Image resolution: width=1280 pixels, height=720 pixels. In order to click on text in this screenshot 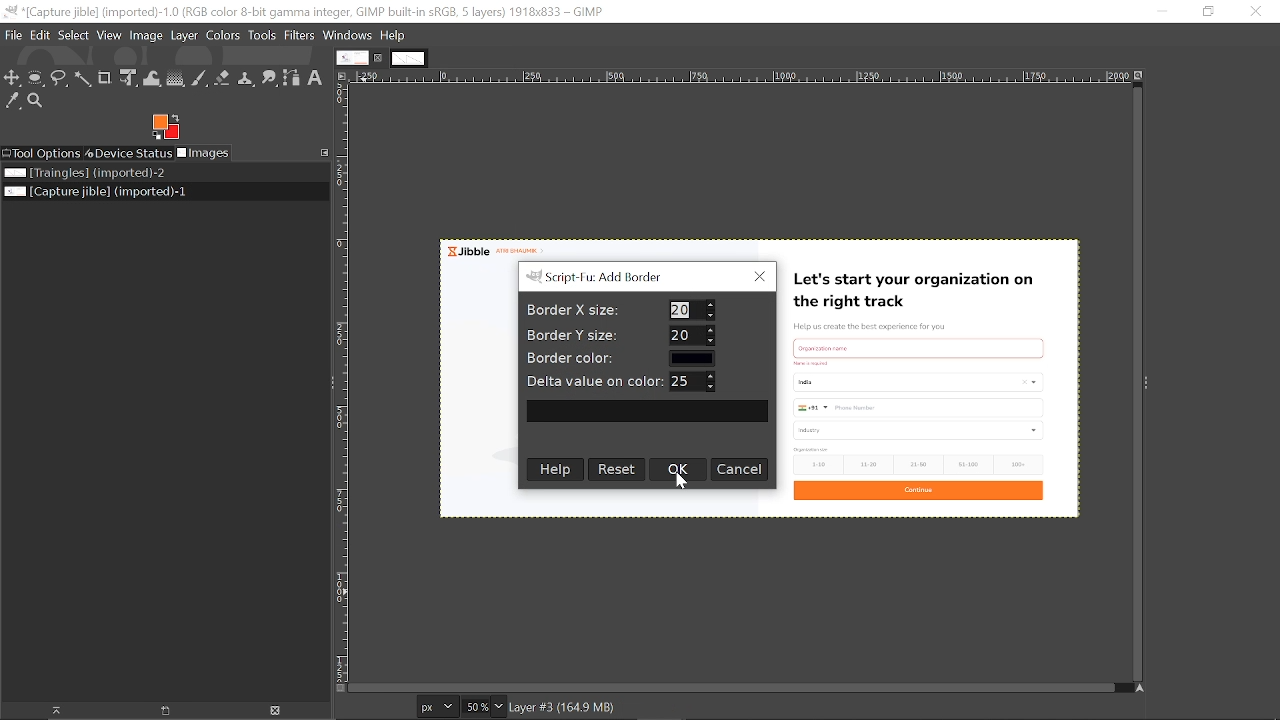, I will do `click(813, 363)`.